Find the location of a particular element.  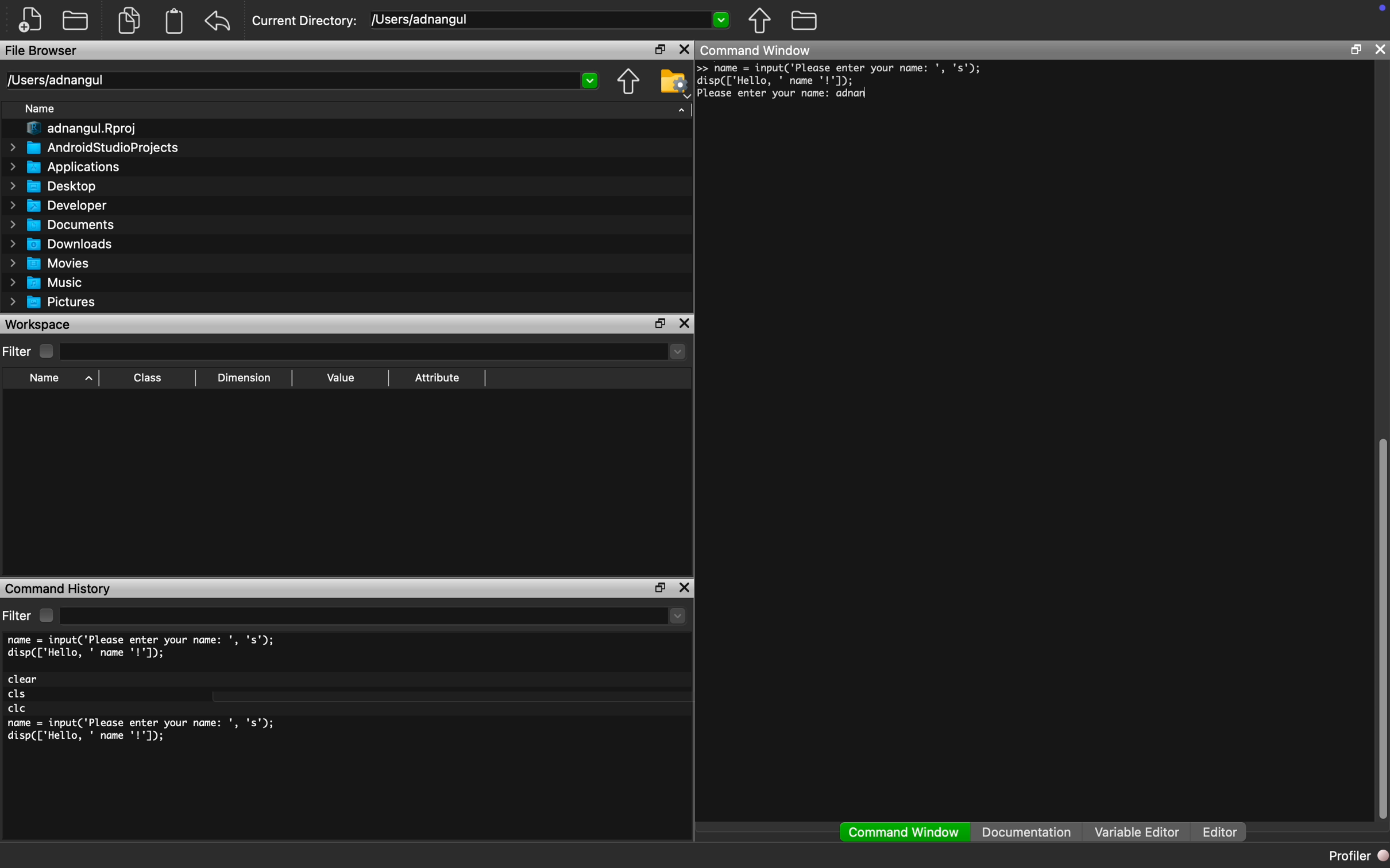

AndroidStudioProjects is located at coordinates (94, 147).